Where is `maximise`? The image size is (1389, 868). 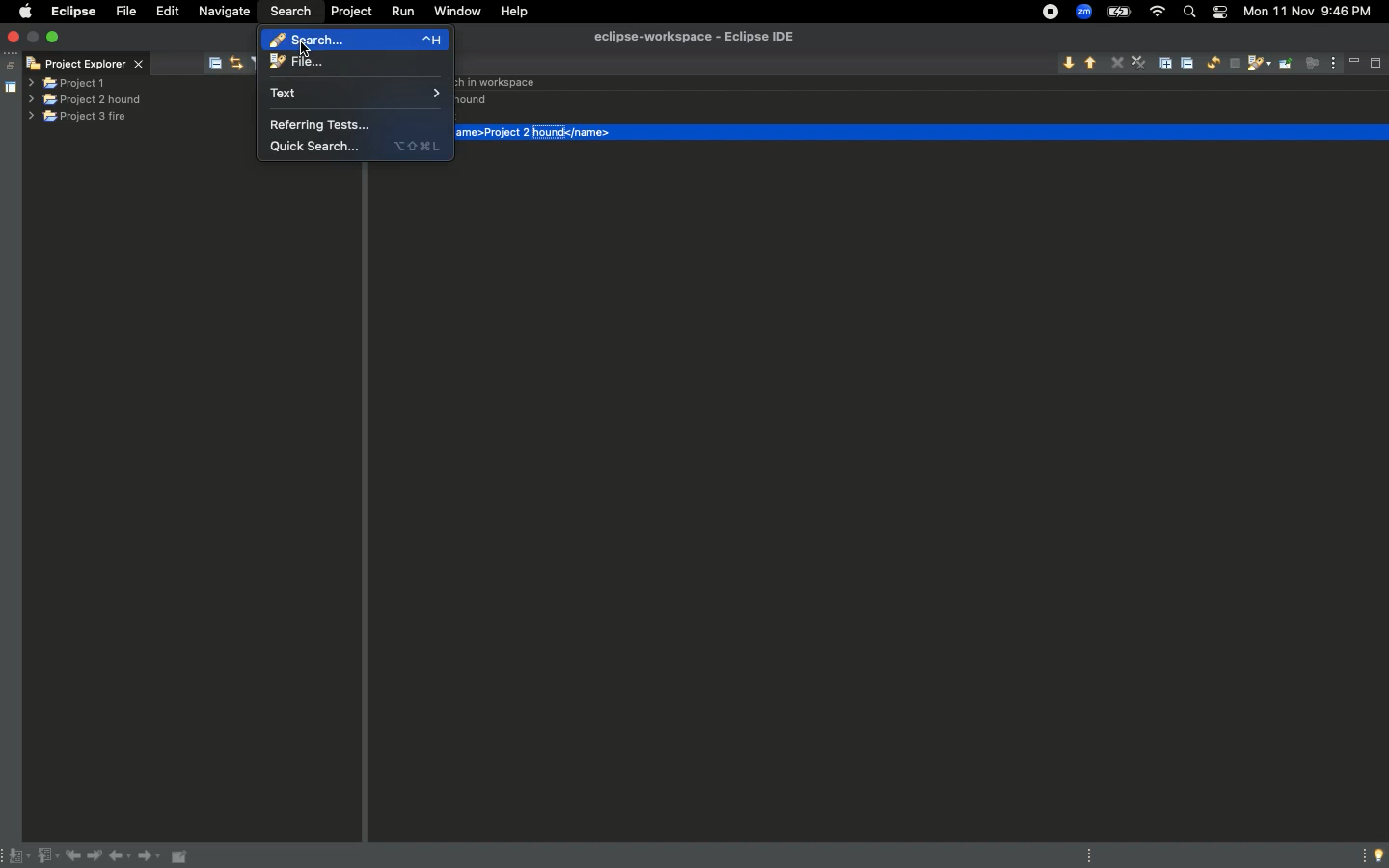 maximise is located at coordinates (1375, 64).